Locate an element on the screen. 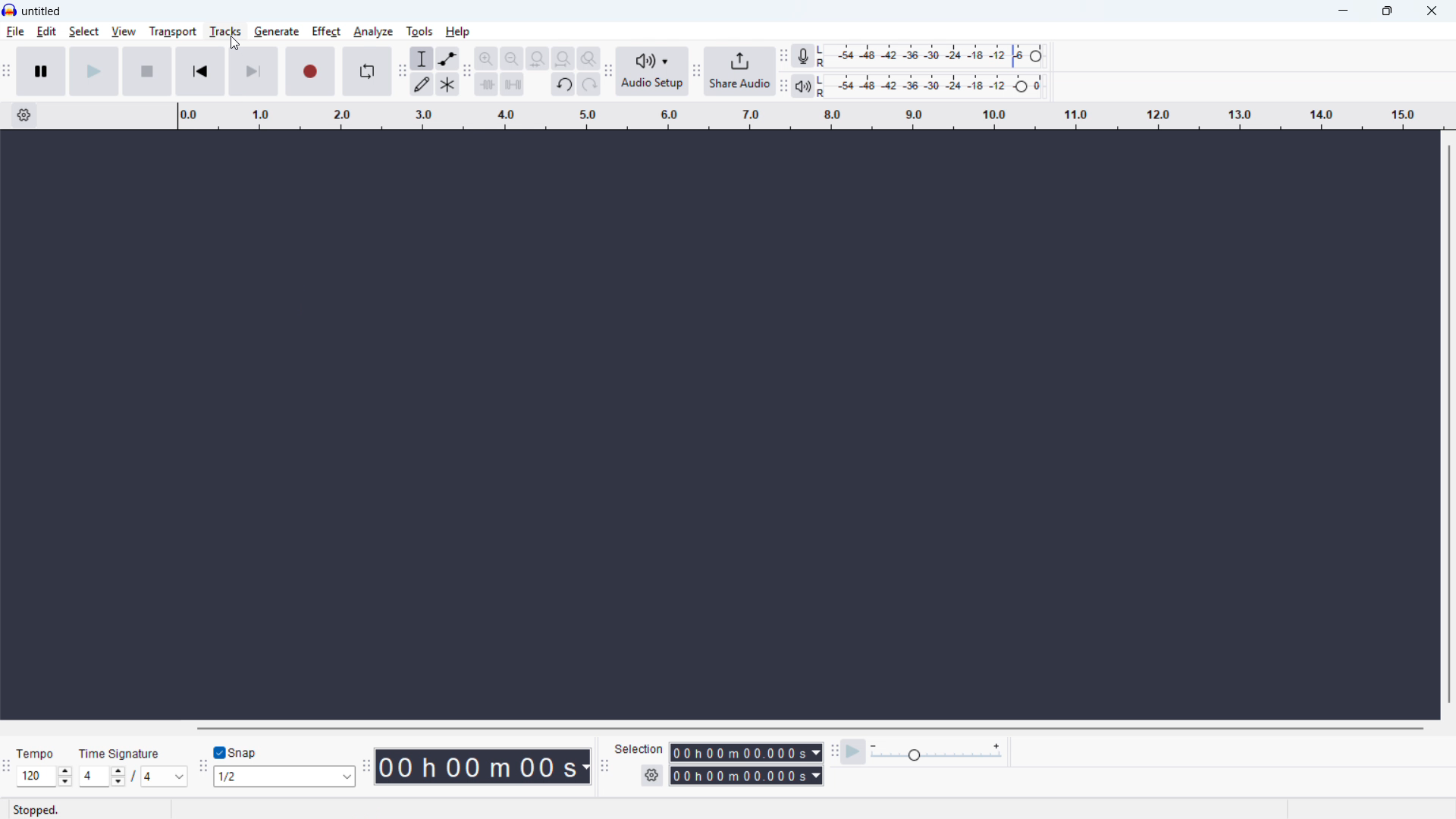 The image size is (1456, 819). Selection settings  is located at coordinates (652, 776).